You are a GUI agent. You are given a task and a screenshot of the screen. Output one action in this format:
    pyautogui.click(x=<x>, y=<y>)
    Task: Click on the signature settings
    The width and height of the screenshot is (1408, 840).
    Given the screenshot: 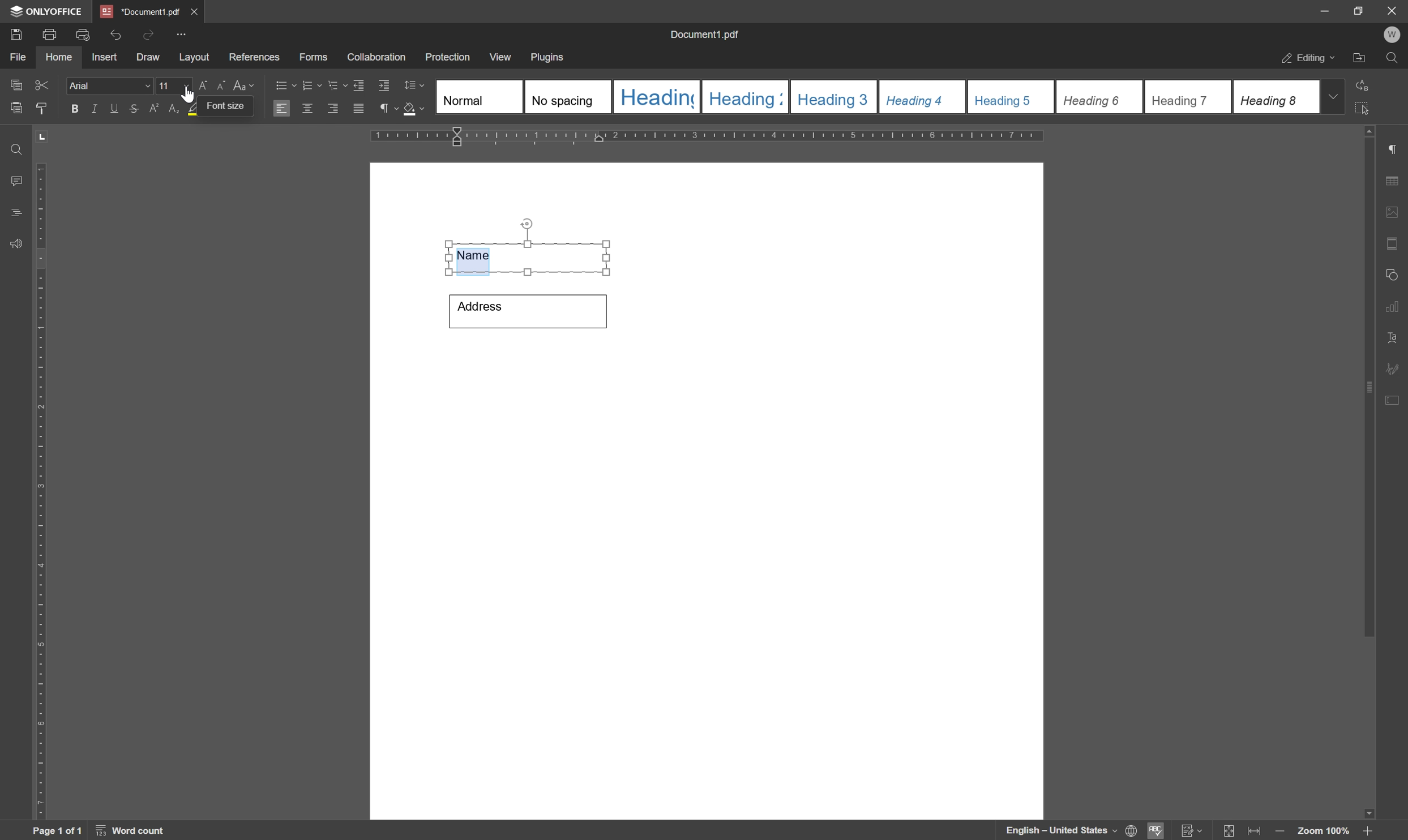 What is the action you would take?
    pyautogui.click(x=1396, y=368)
    